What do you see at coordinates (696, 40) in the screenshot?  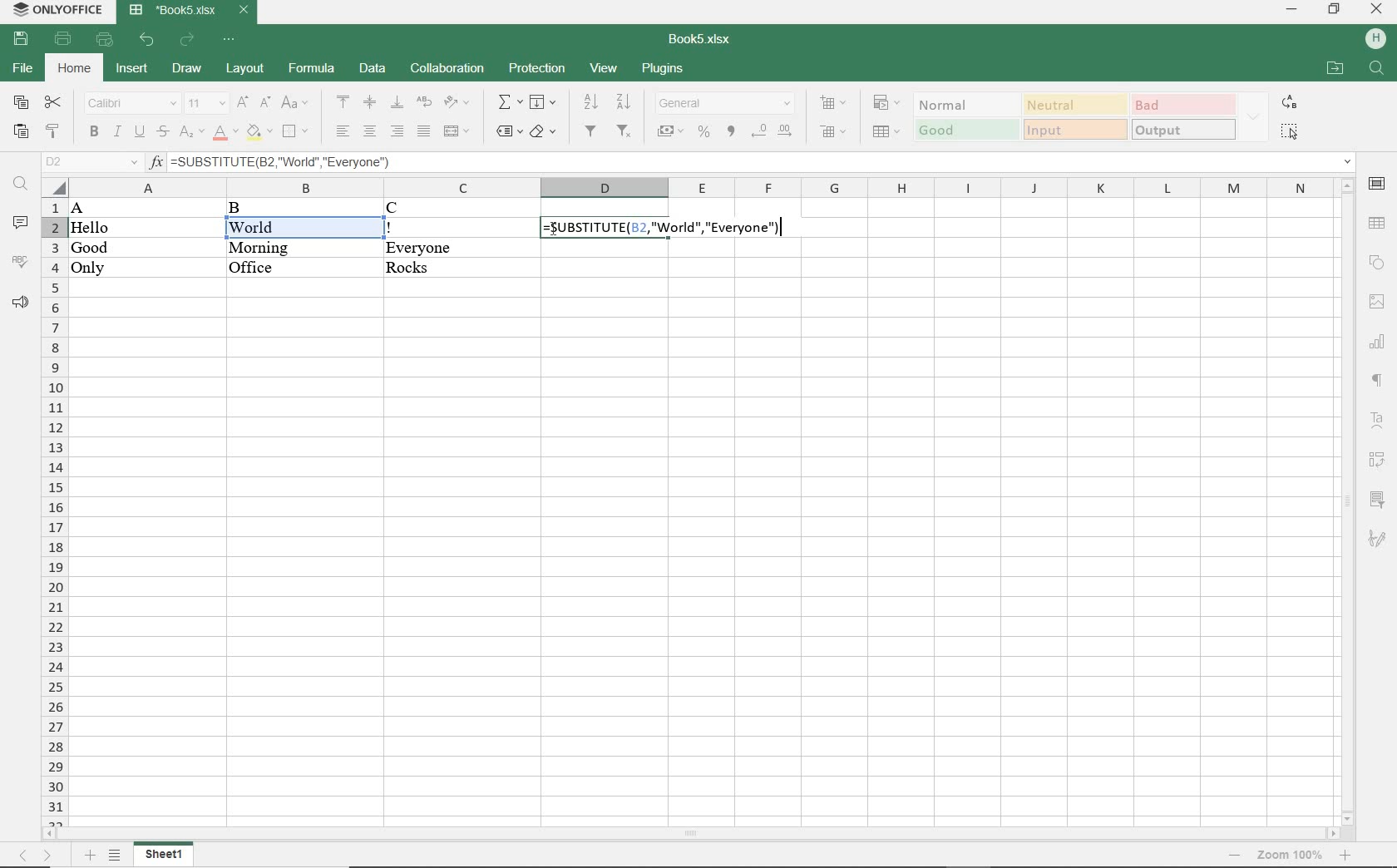 I see `document name` at bounding box center [696, 40].